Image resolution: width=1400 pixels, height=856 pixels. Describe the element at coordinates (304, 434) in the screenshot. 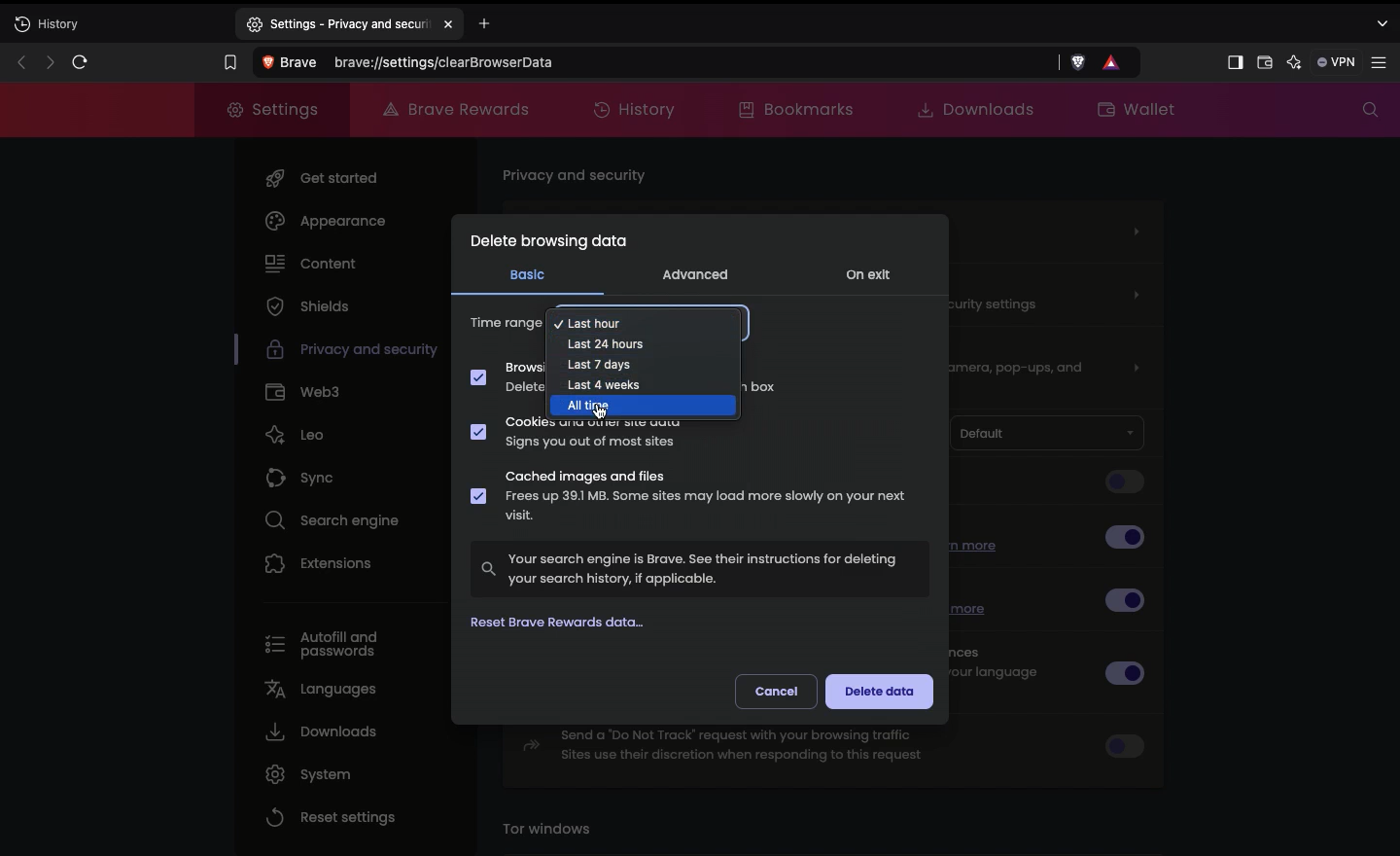

I see `Leo` at that location.